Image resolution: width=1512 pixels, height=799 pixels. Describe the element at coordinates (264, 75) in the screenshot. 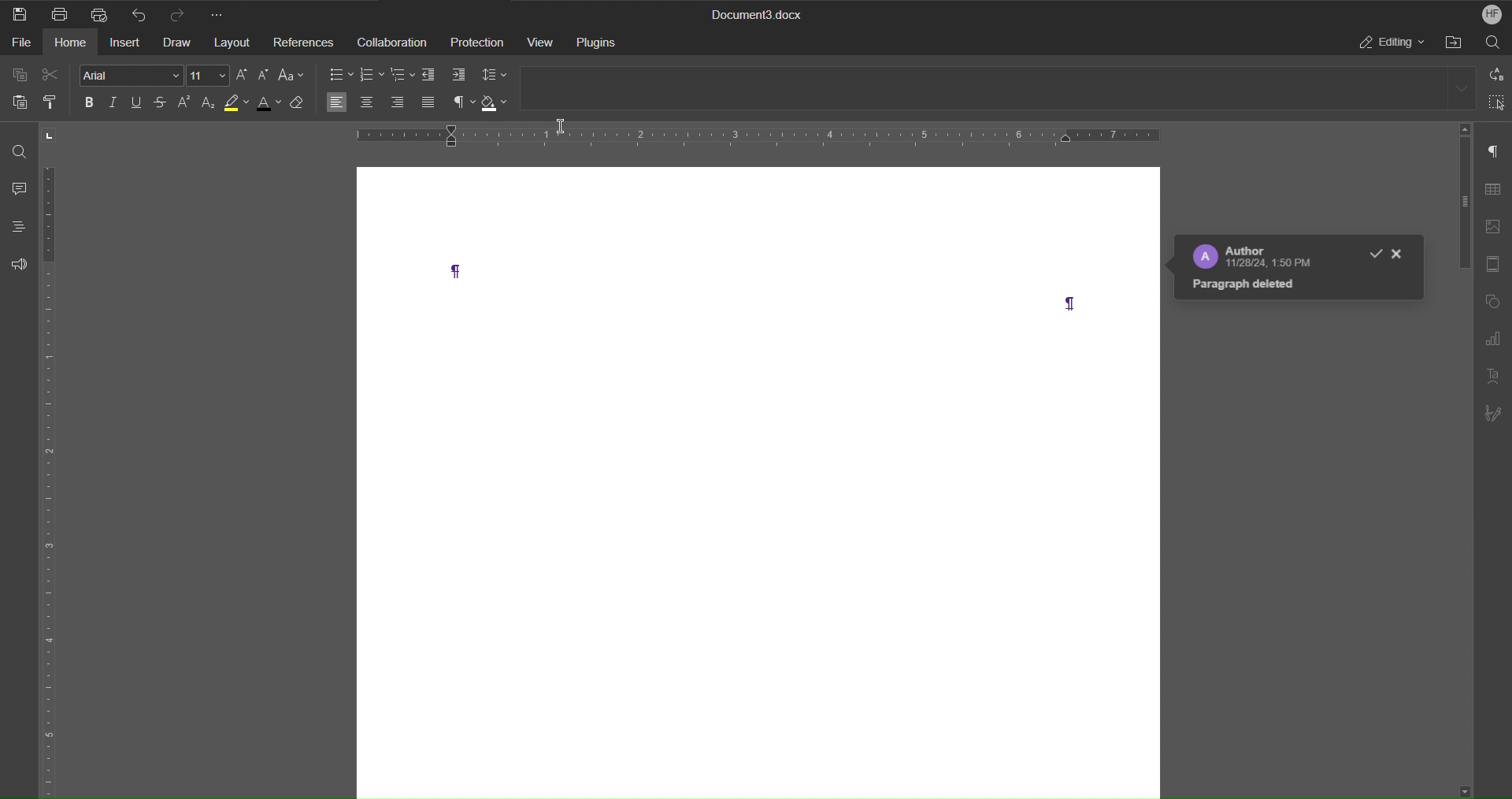

I see `Decrease Size` at that location.